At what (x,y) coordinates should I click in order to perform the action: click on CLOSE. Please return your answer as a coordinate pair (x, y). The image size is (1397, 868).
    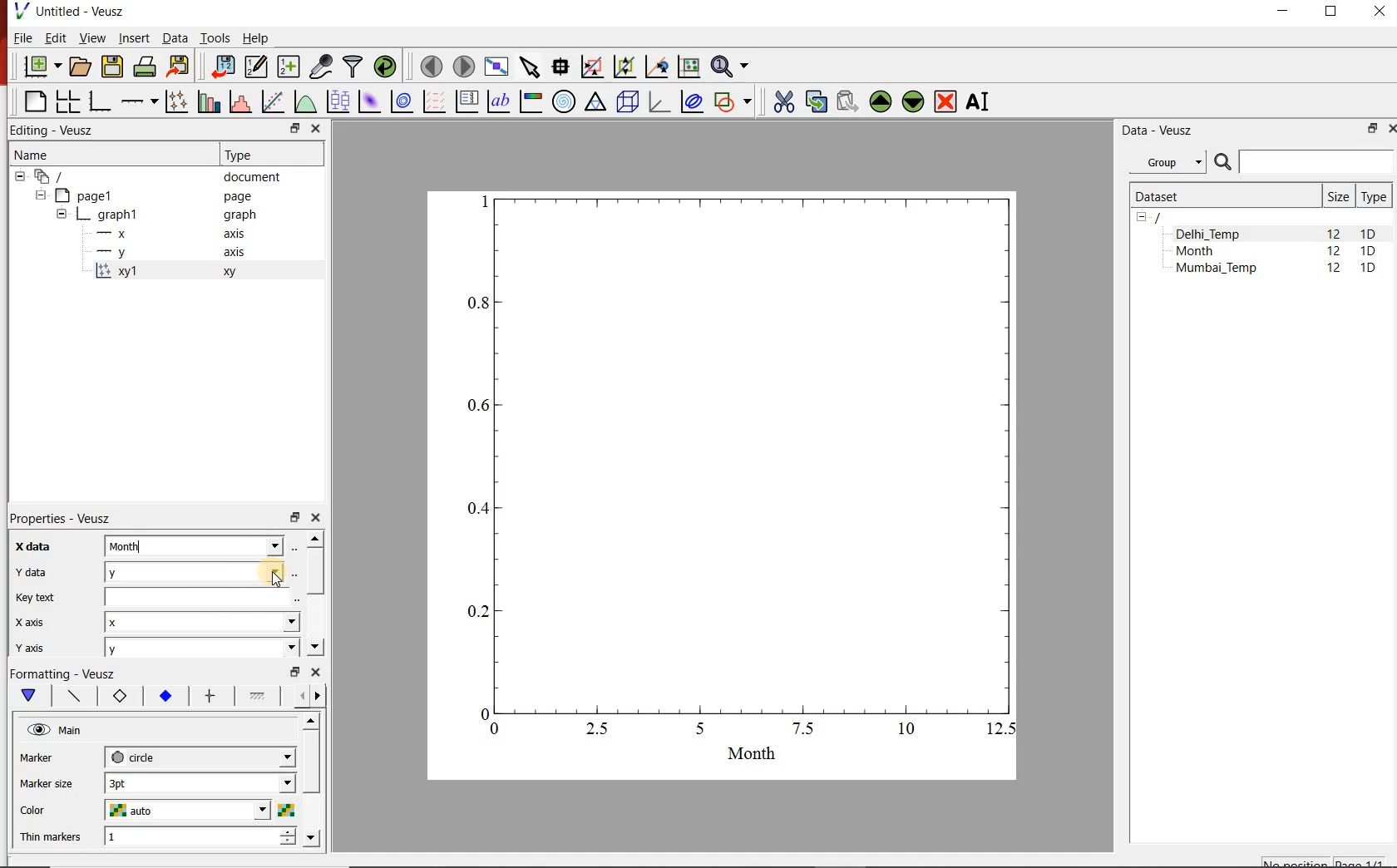
    Looking at the image, I should click on (1390, 129).